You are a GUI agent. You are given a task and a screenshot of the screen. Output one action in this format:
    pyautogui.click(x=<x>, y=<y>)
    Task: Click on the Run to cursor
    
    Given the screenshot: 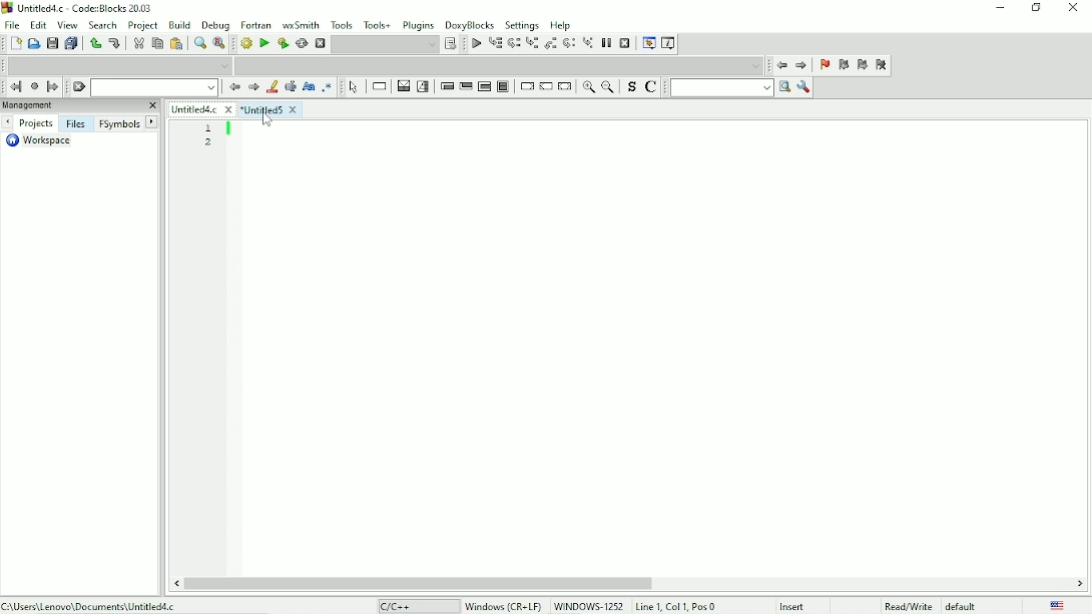 What is the action you would take?
    pyautogui.click(x=494, y=42)
    